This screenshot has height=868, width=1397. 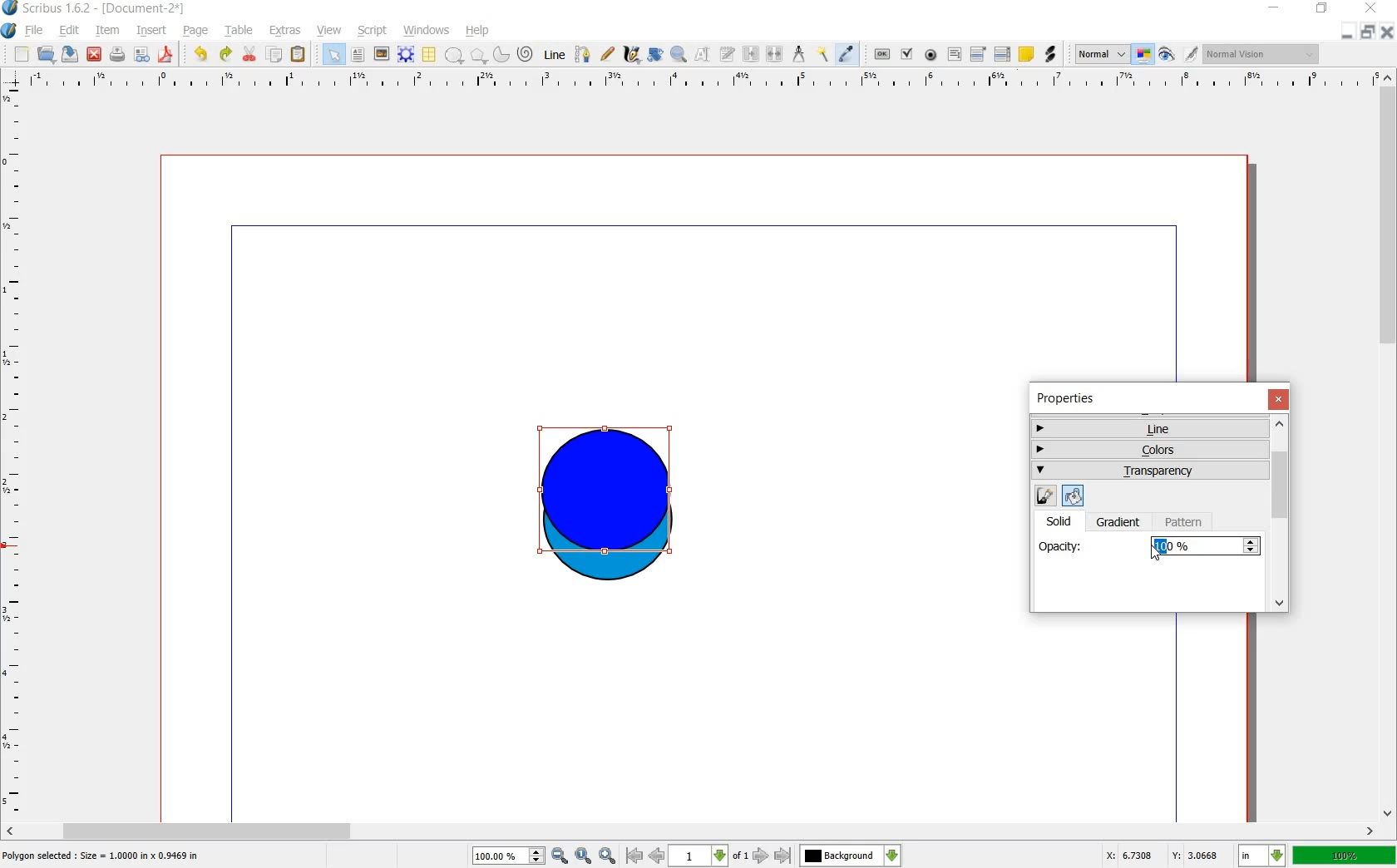 I want to click on pdf push button, so click(x=881, y=55).